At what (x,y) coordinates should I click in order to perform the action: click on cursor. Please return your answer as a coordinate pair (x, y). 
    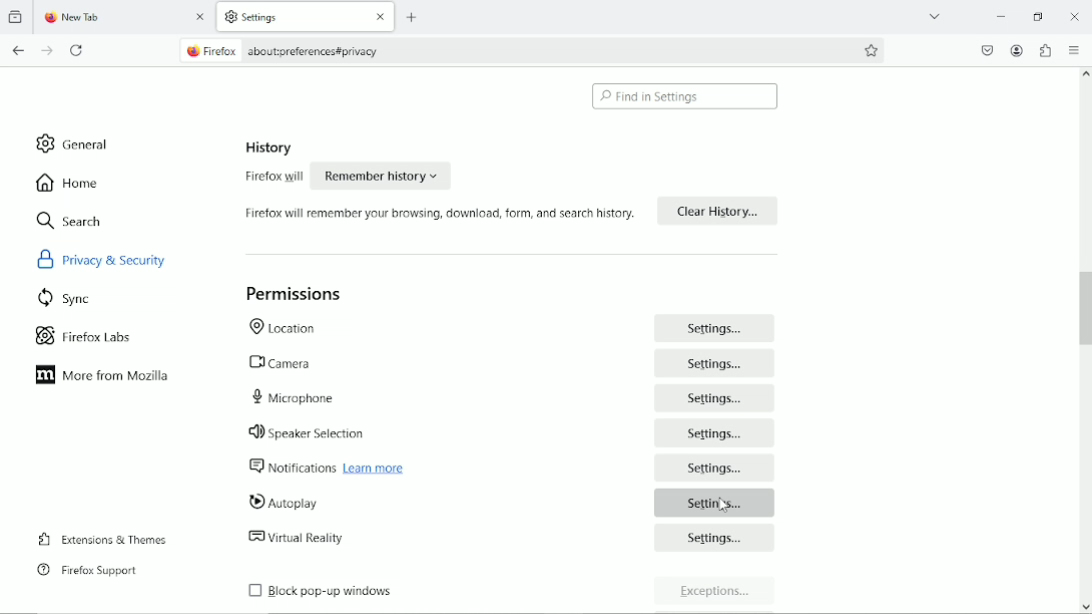
    Looking at the image, I should click on (728, 505).